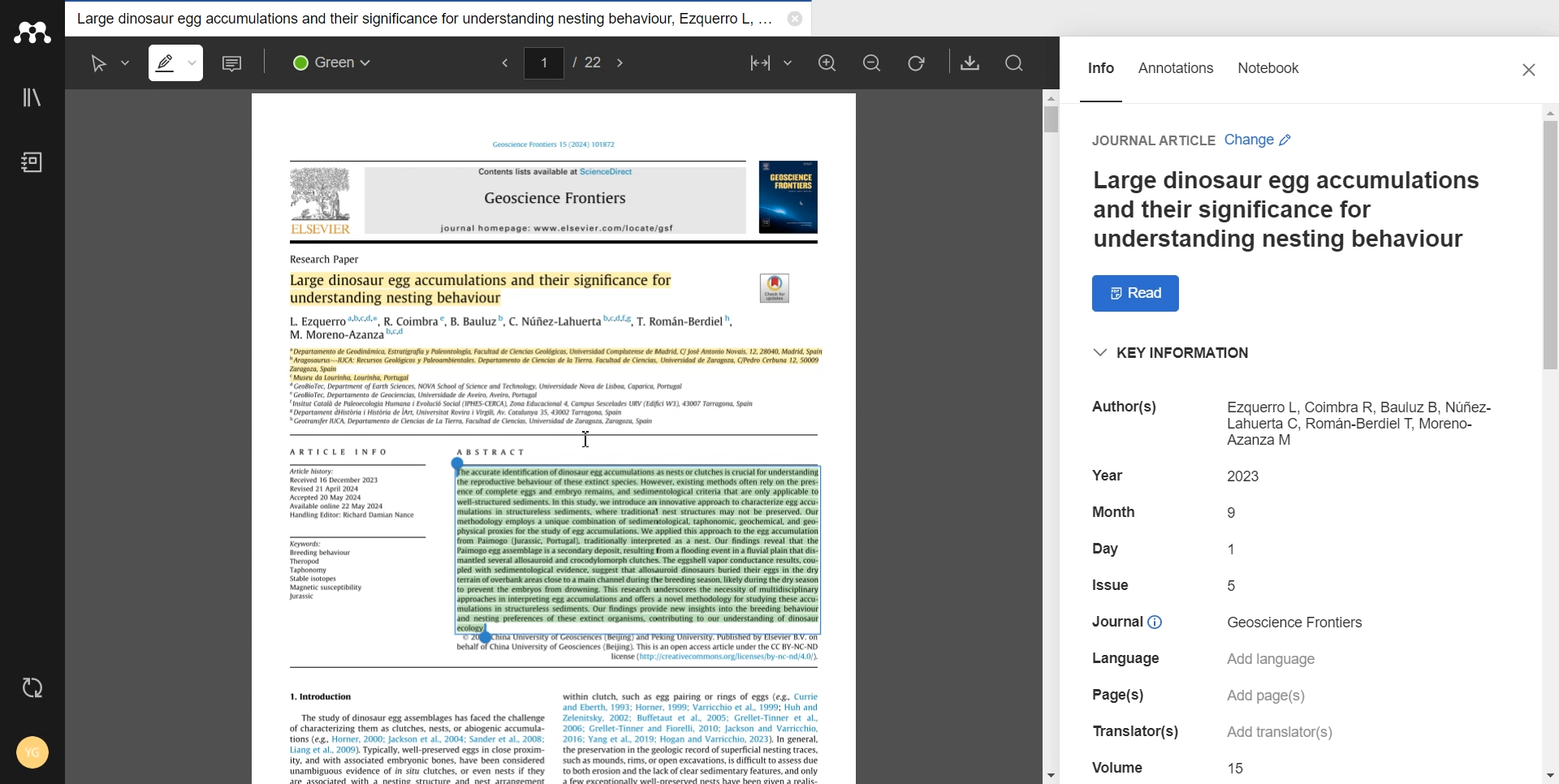 The height and width of the screenshot is (784, 1559). I want to click on Read, so click(1138, 293).